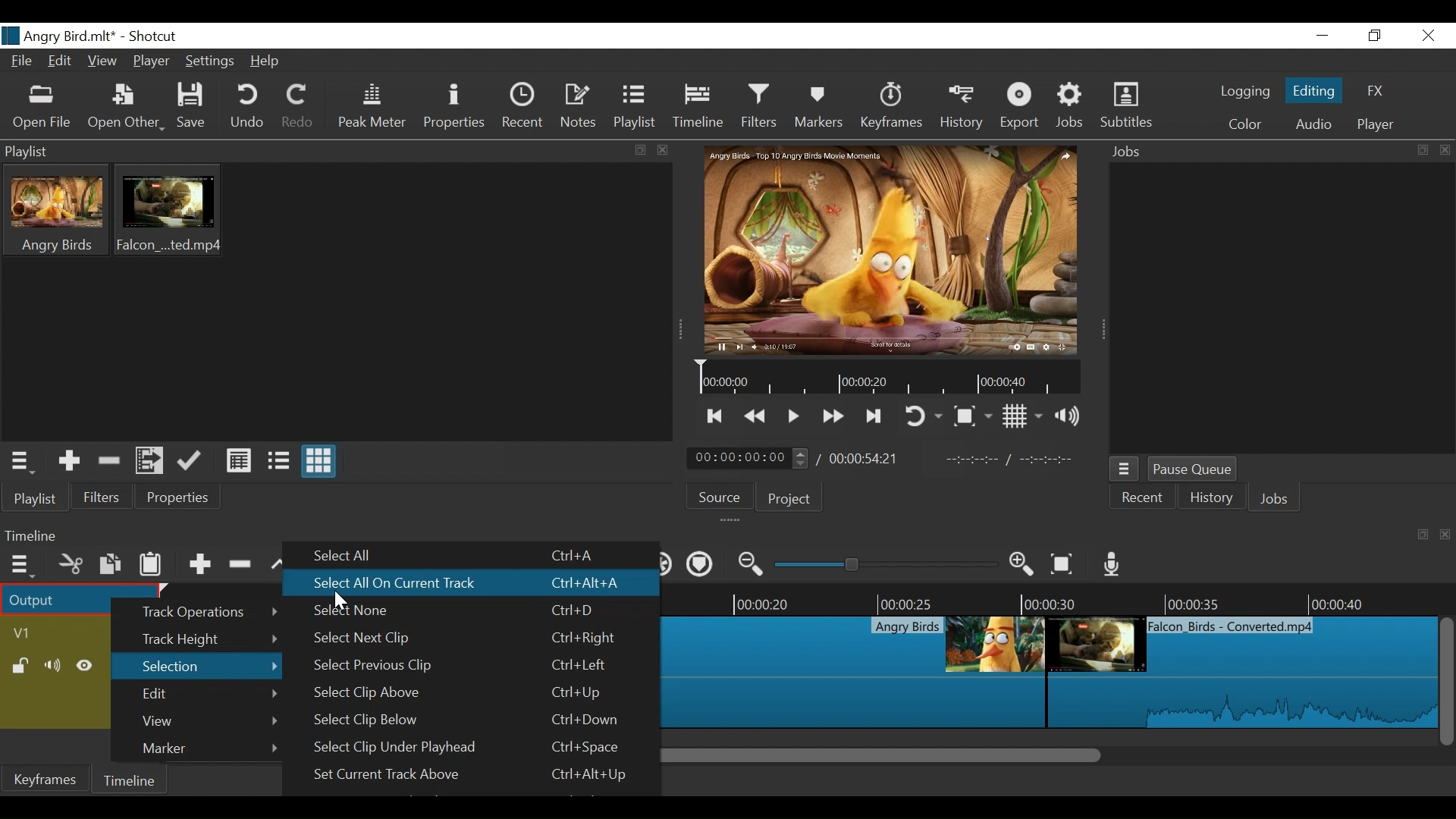 The height and width of the screenshot is (819, 1456). I want to click on Filters, so click(759, 106).